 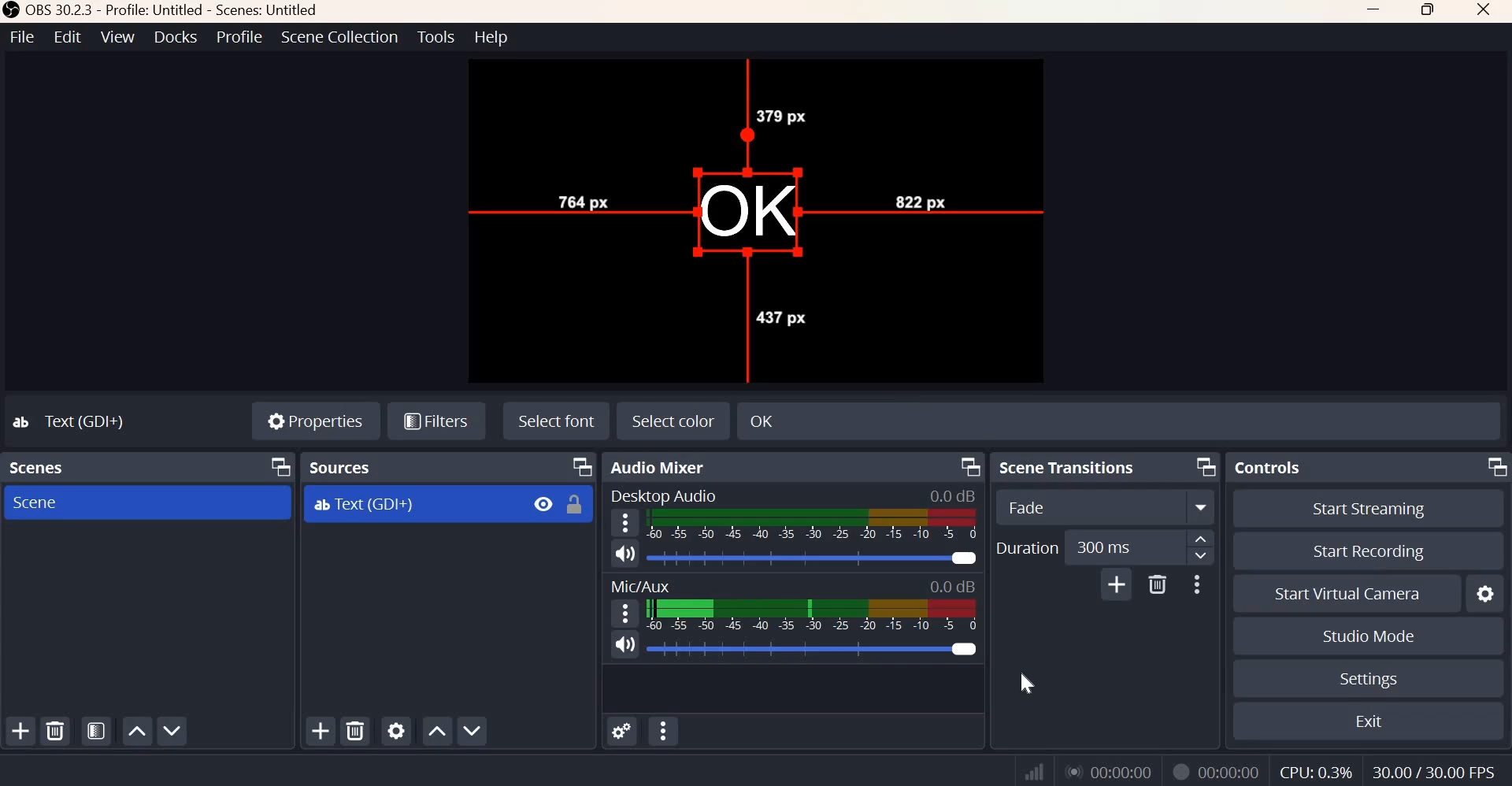 I want to click on Desktop Audio, so click(x=662, y=495).